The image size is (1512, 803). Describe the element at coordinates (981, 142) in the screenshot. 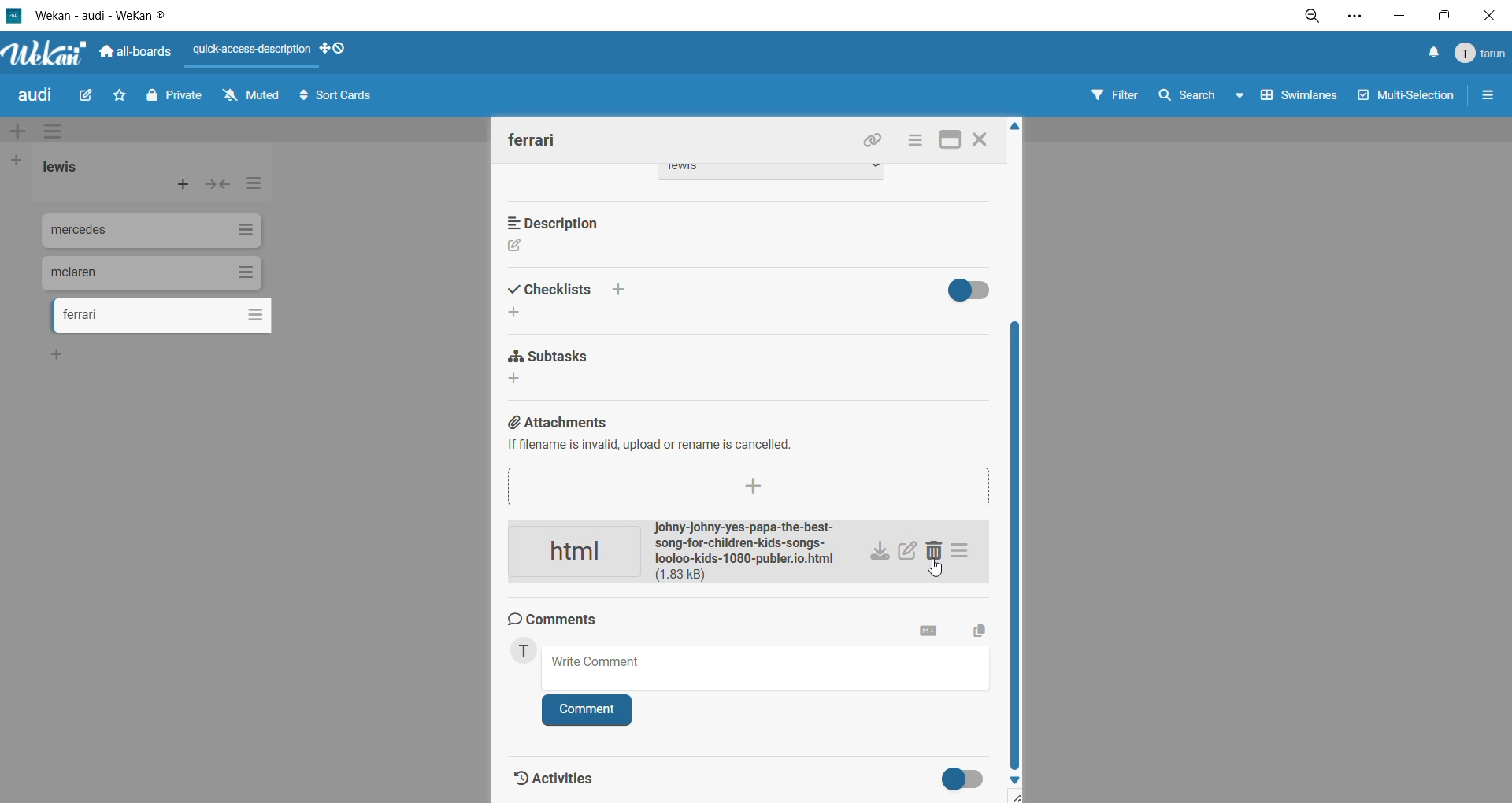

I see `close` at that location.